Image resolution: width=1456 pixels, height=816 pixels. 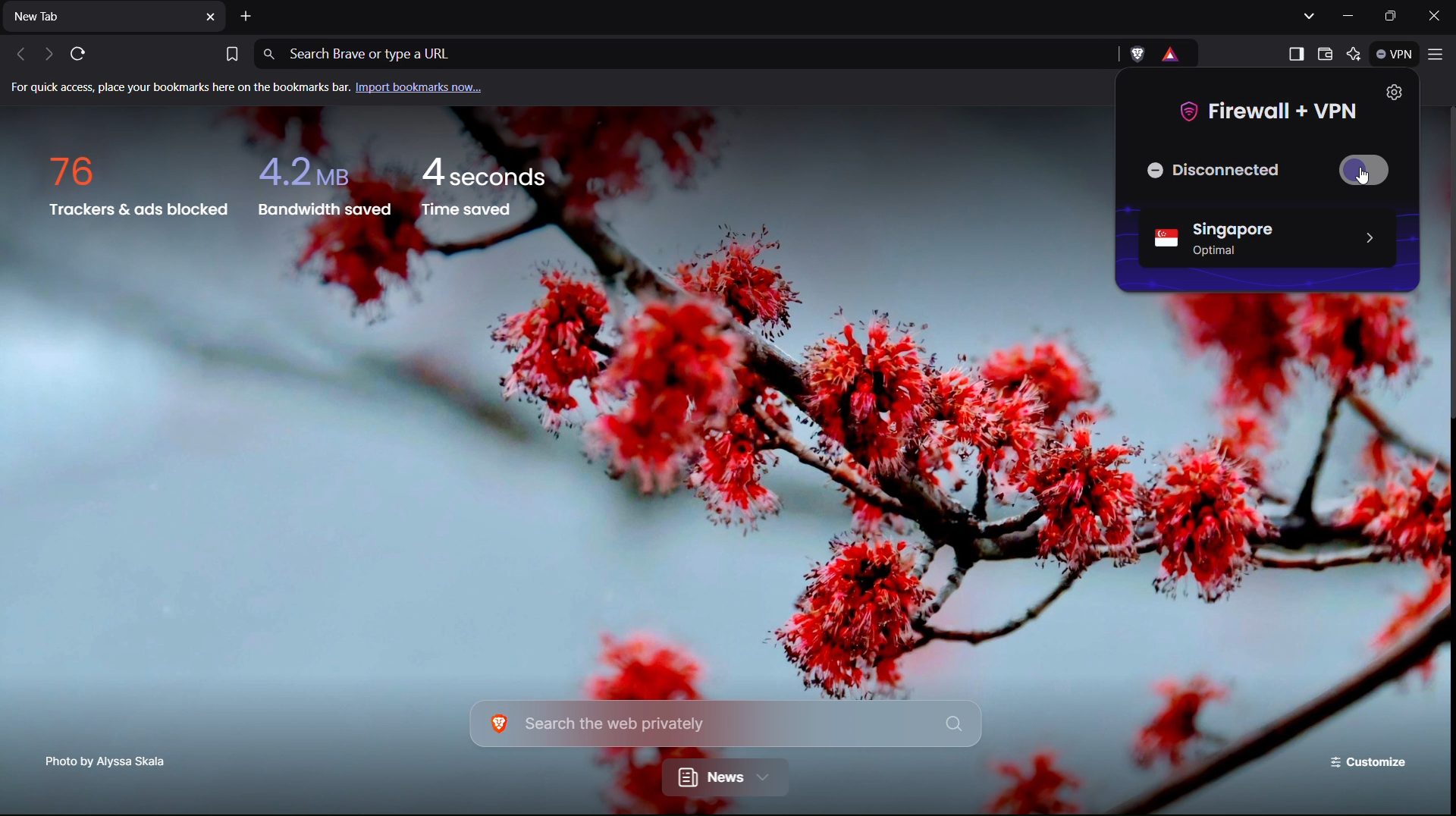 What do you see at coordinates (115, 17) in the screenshot?
I see `New Tab` at bounding box center [115, 17].